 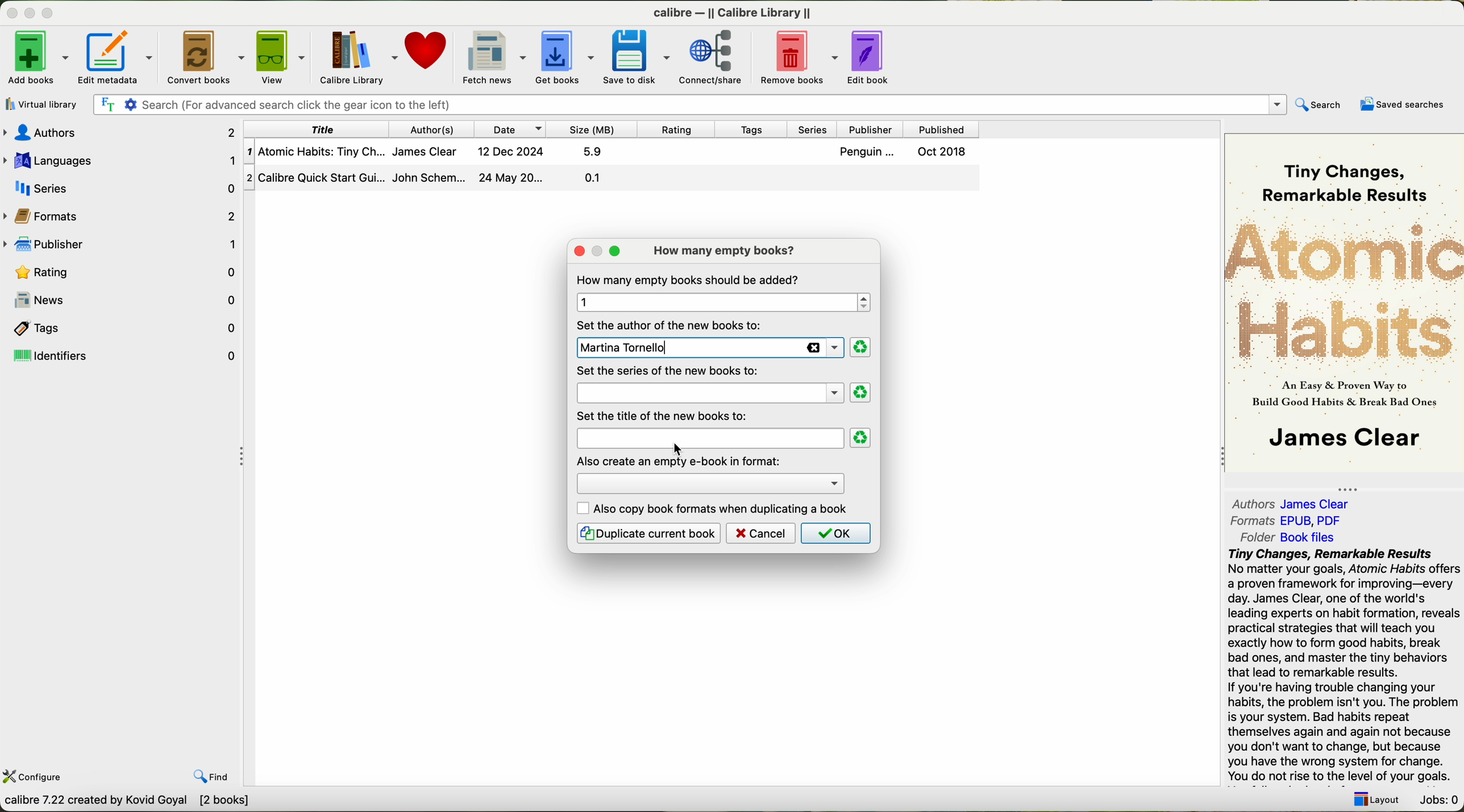 I want to click on also create and empy ebook in format, so click(x=680, y=460).